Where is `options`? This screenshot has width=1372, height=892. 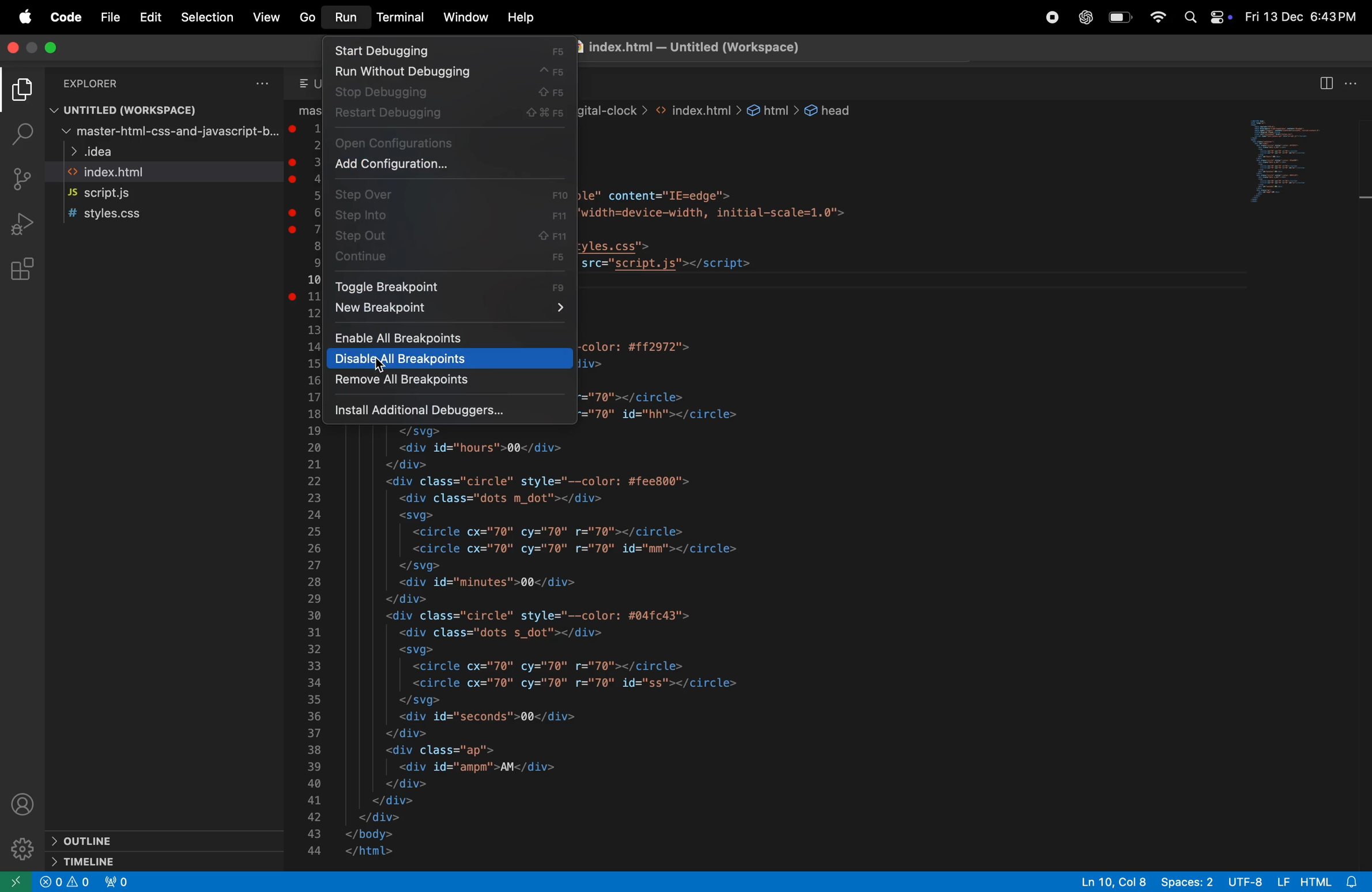
options is located at coordinates (1356, 82).